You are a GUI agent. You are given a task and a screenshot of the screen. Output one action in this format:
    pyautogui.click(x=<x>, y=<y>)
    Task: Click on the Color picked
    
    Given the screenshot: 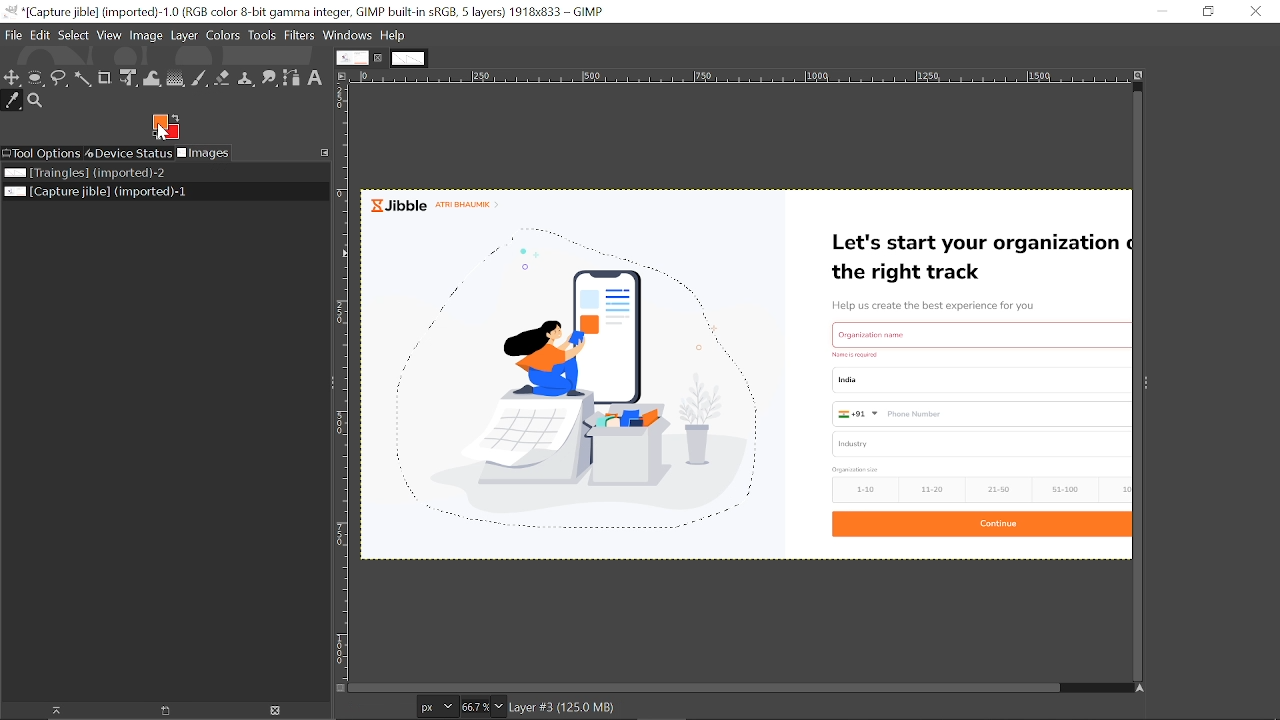 What is the action you would take?
    pyautogui.click(x=162, y=122)
    